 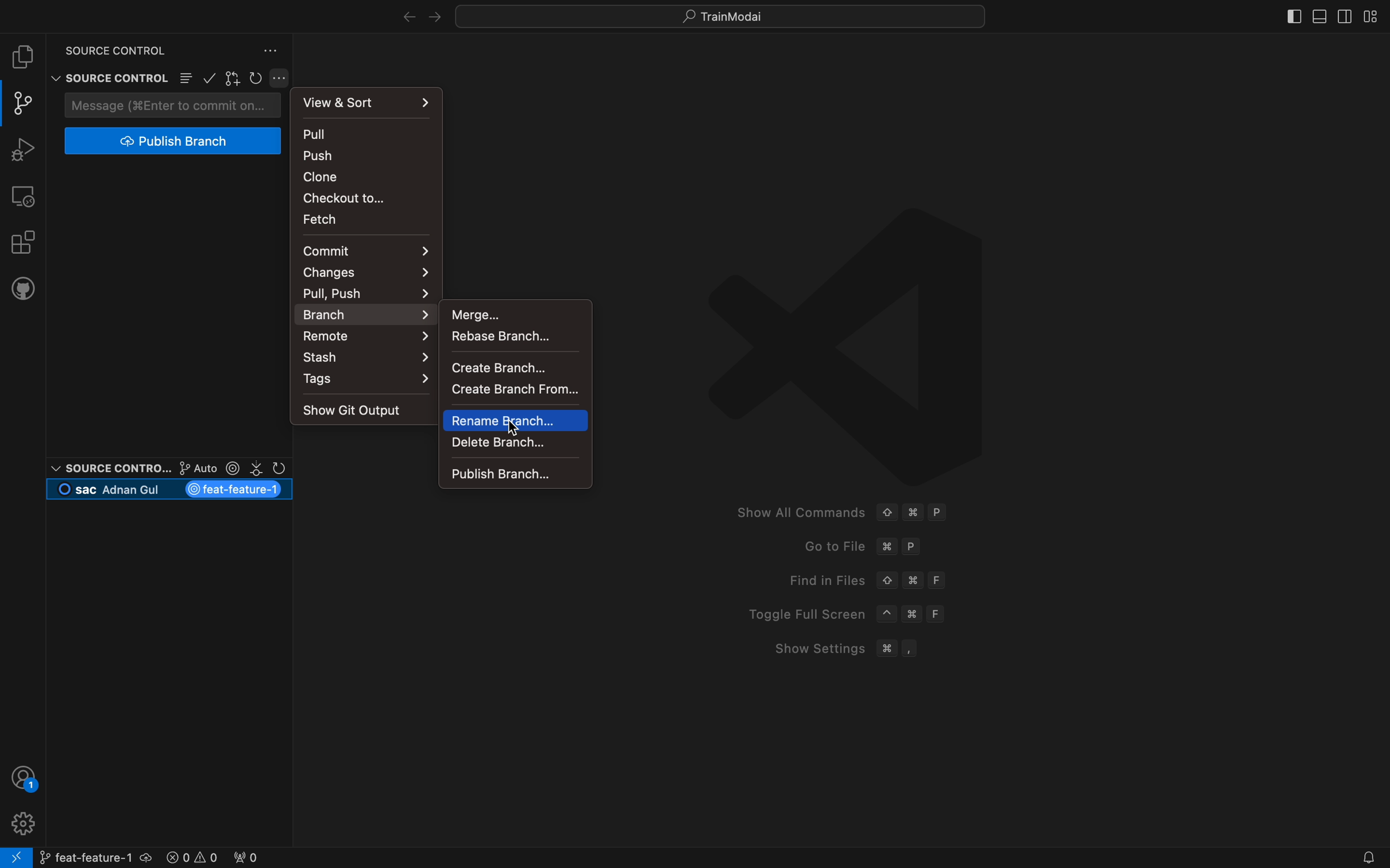 I want to click on Up, so click(x=886, y=511).